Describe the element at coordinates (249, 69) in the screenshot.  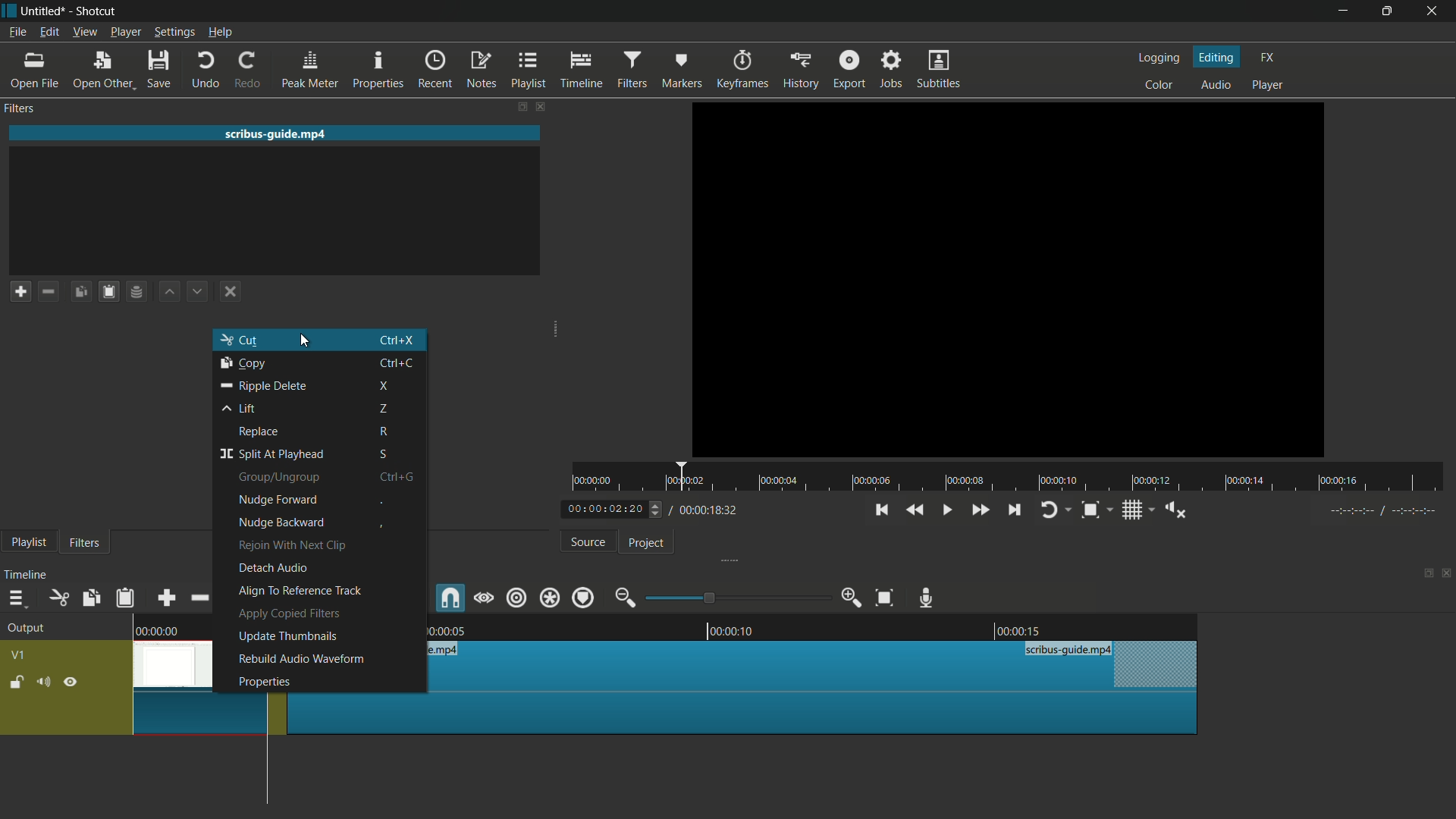
I see `redo` at that location.